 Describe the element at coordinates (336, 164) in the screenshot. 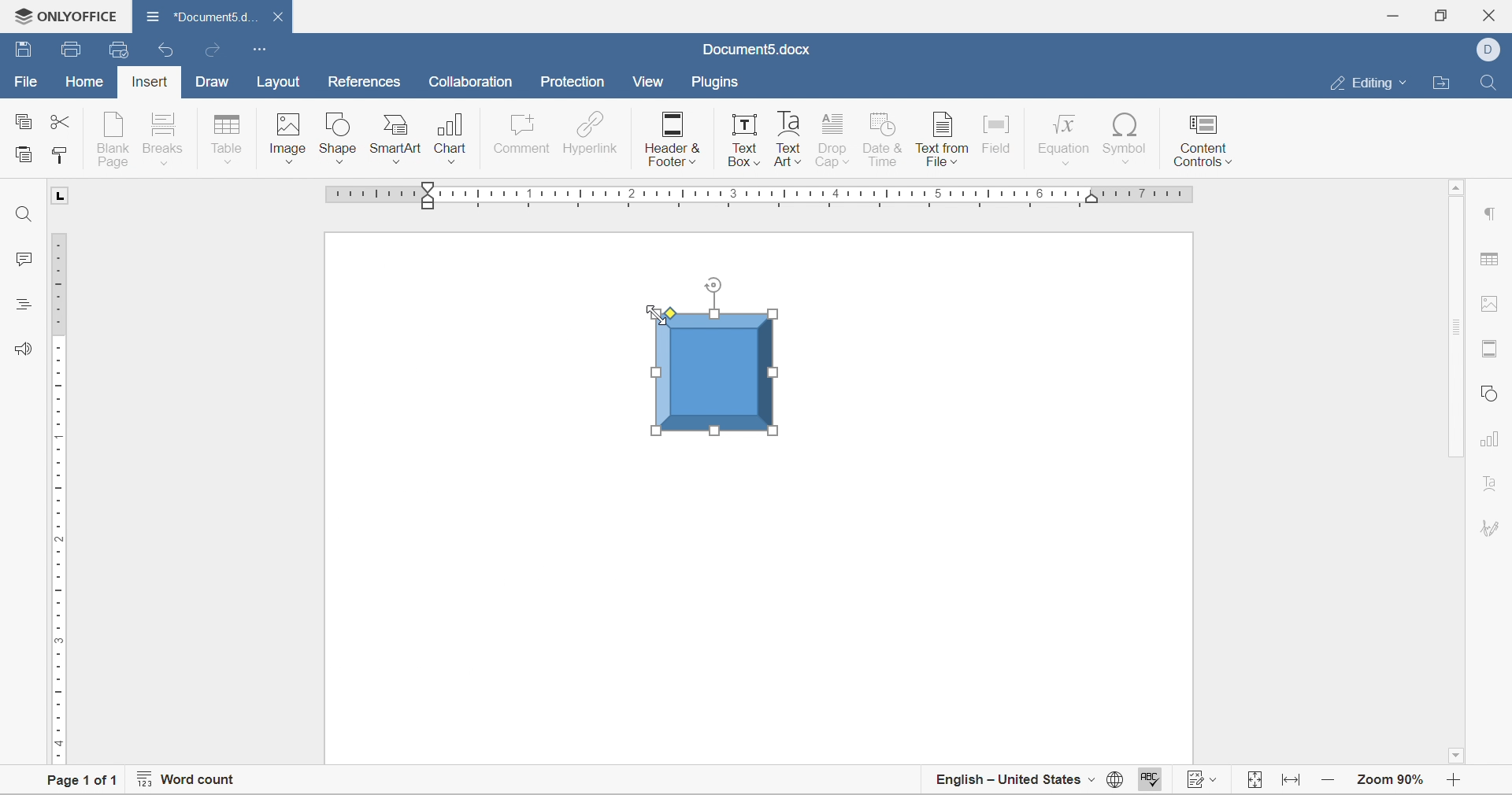

I see `insert shape` at that location.